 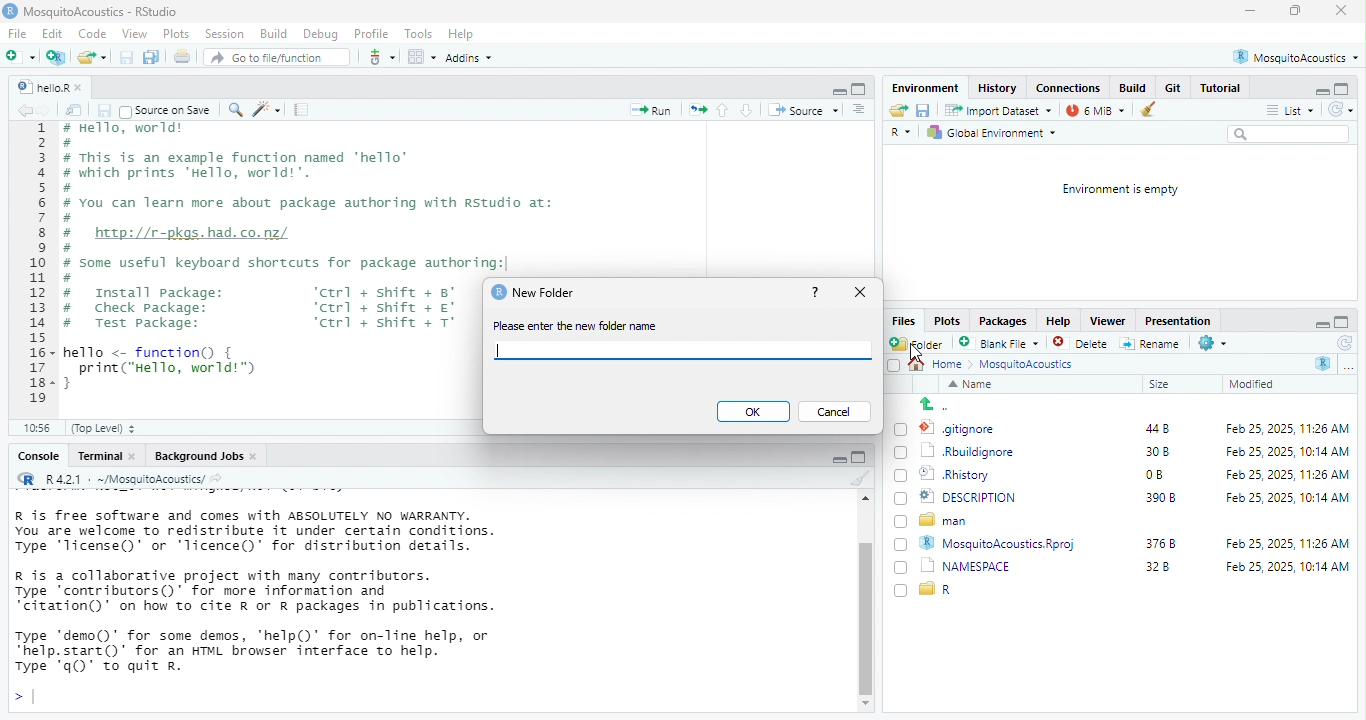 What do you see at coordinates (276, 58) in the screenshot?
I see ` Go to file/function` at bounding box center [276, 58].